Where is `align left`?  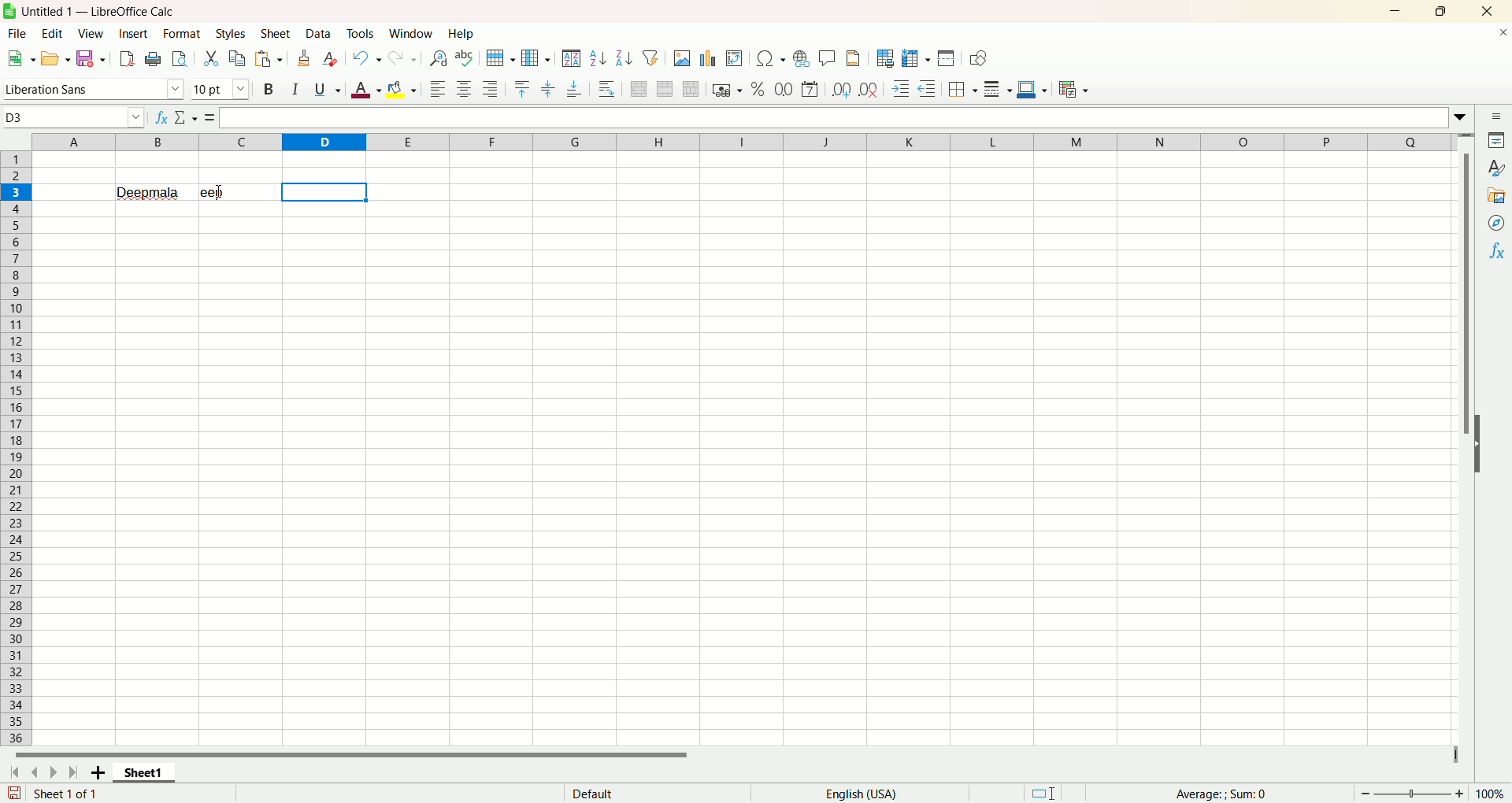 align left is located at coordinates (439, 90).